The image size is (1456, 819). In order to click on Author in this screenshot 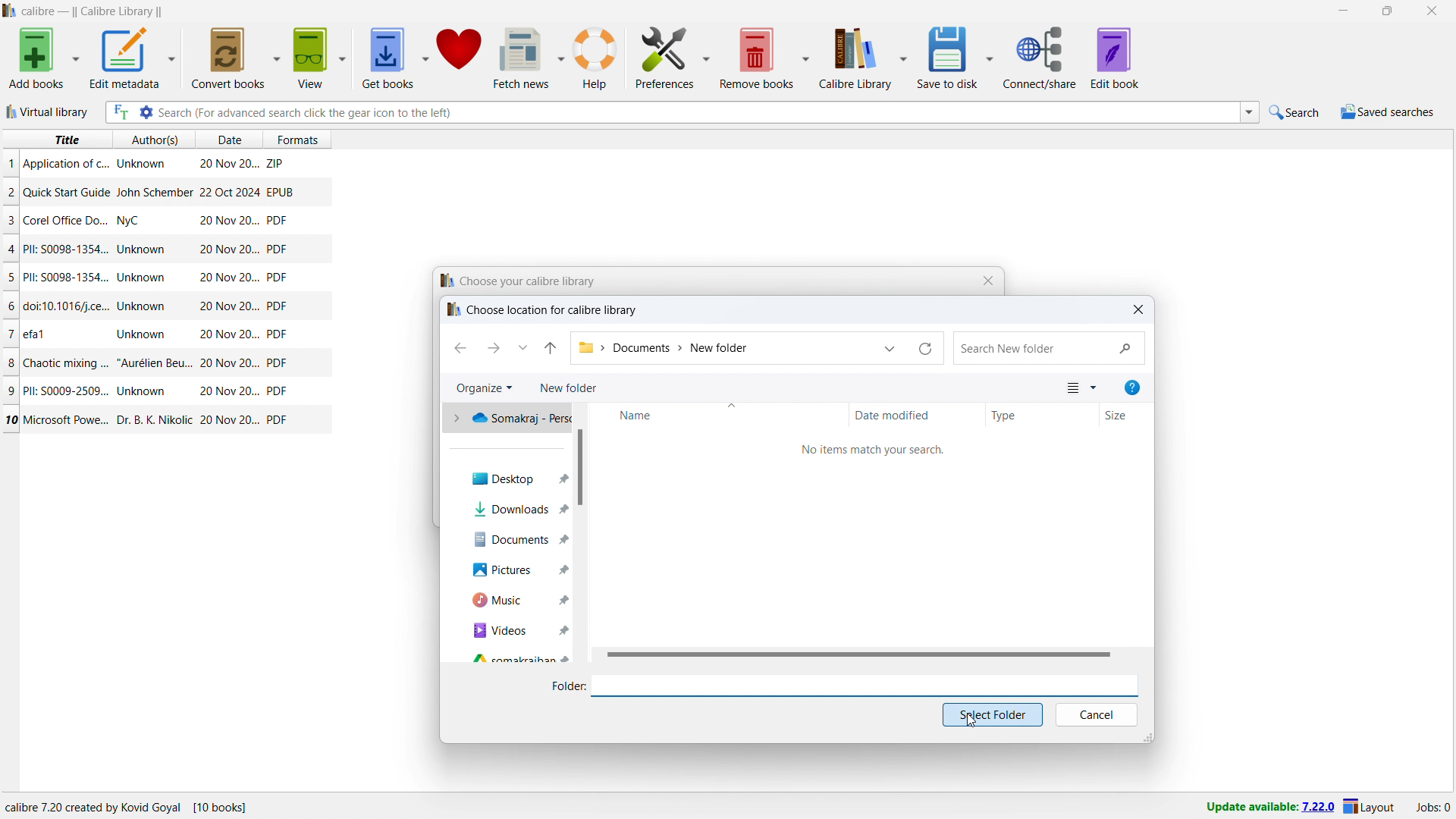, I will do `click(153, 192)`.